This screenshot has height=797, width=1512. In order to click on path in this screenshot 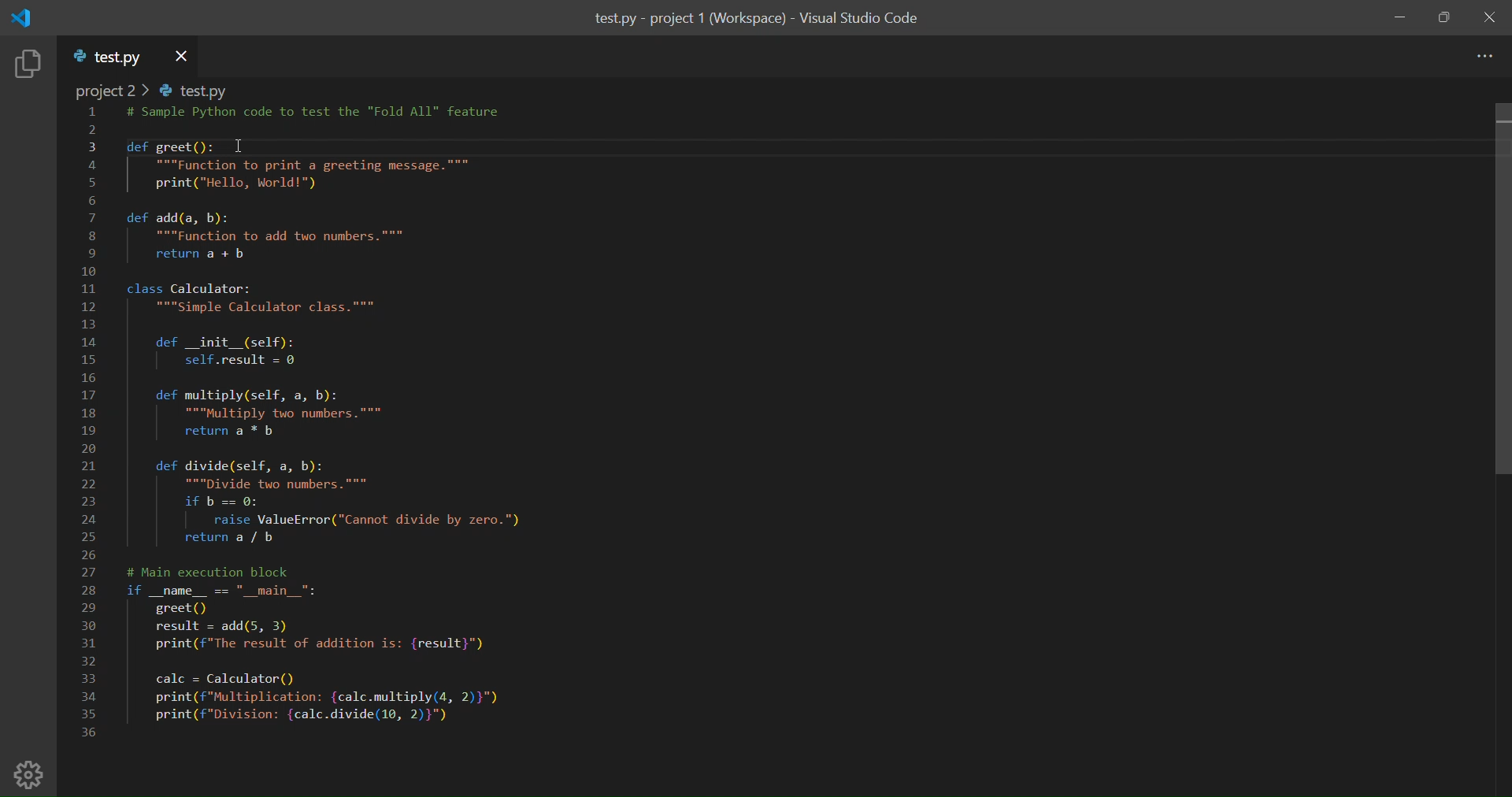, I will do `click(157, 91)`.